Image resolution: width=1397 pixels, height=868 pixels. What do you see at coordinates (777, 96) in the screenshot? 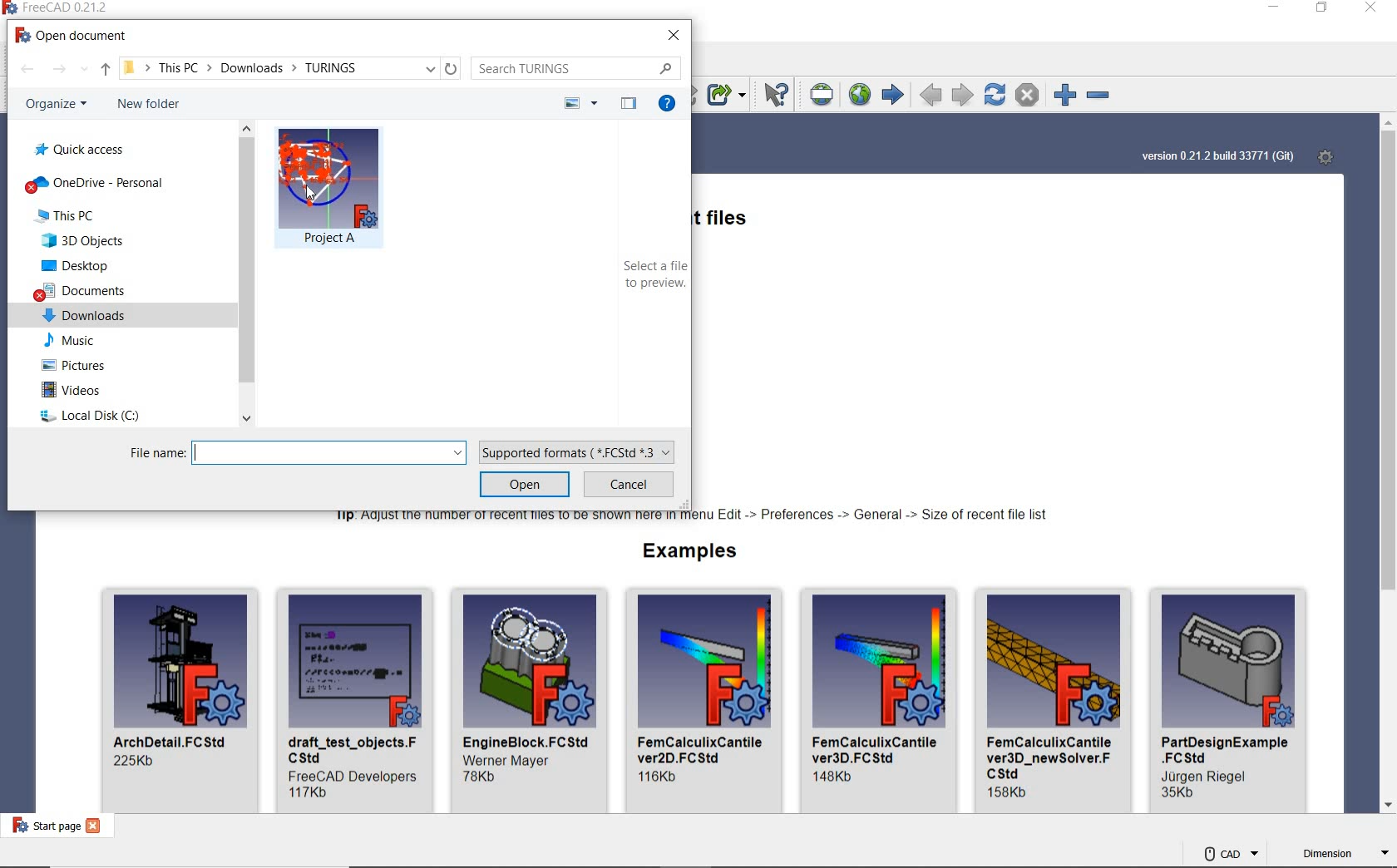
I see `WHAT'S THIS?` at bounding box center [777, 96].